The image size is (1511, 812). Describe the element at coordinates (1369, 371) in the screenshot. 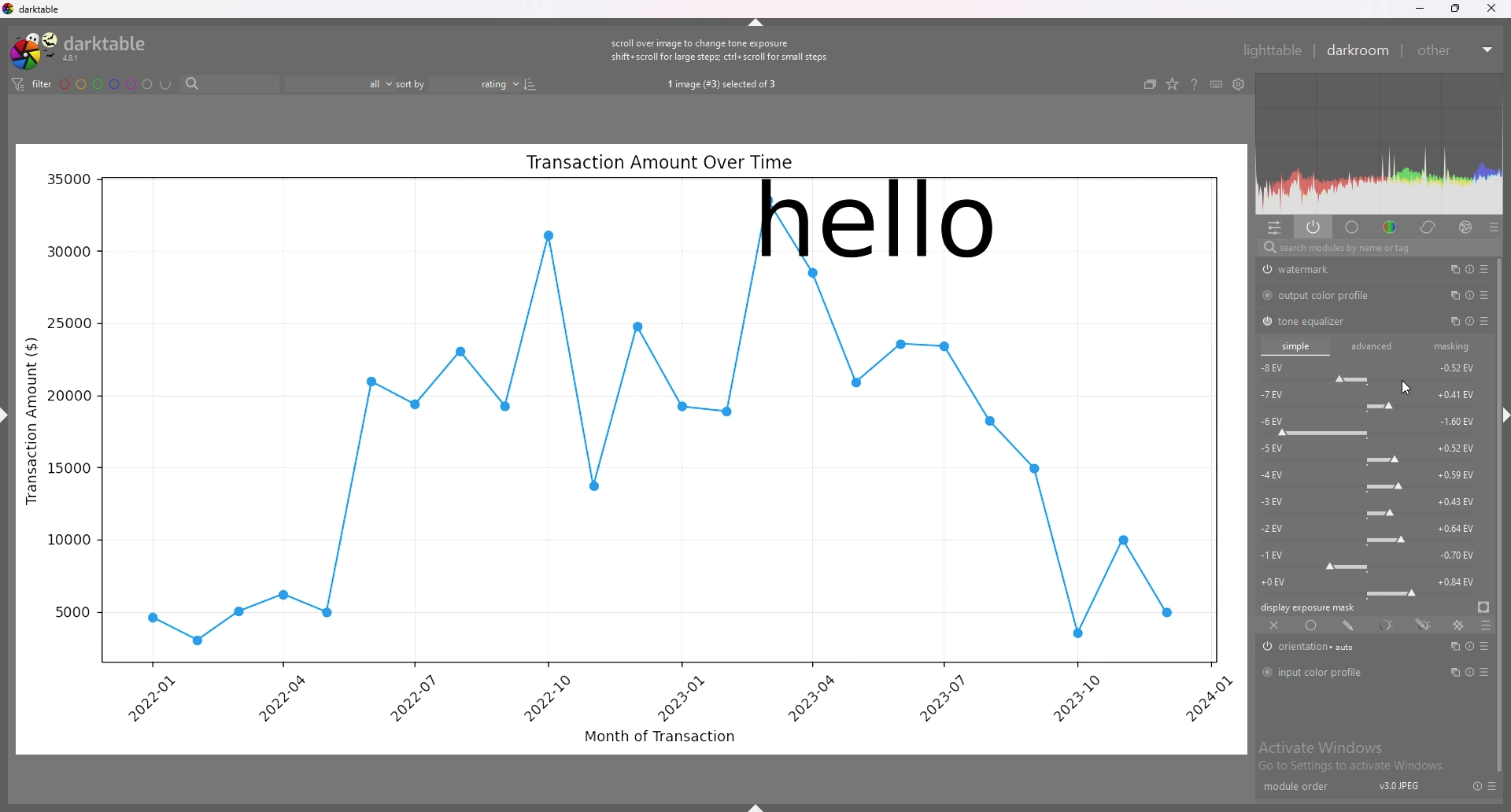

I see `-8 EV force` at that location.